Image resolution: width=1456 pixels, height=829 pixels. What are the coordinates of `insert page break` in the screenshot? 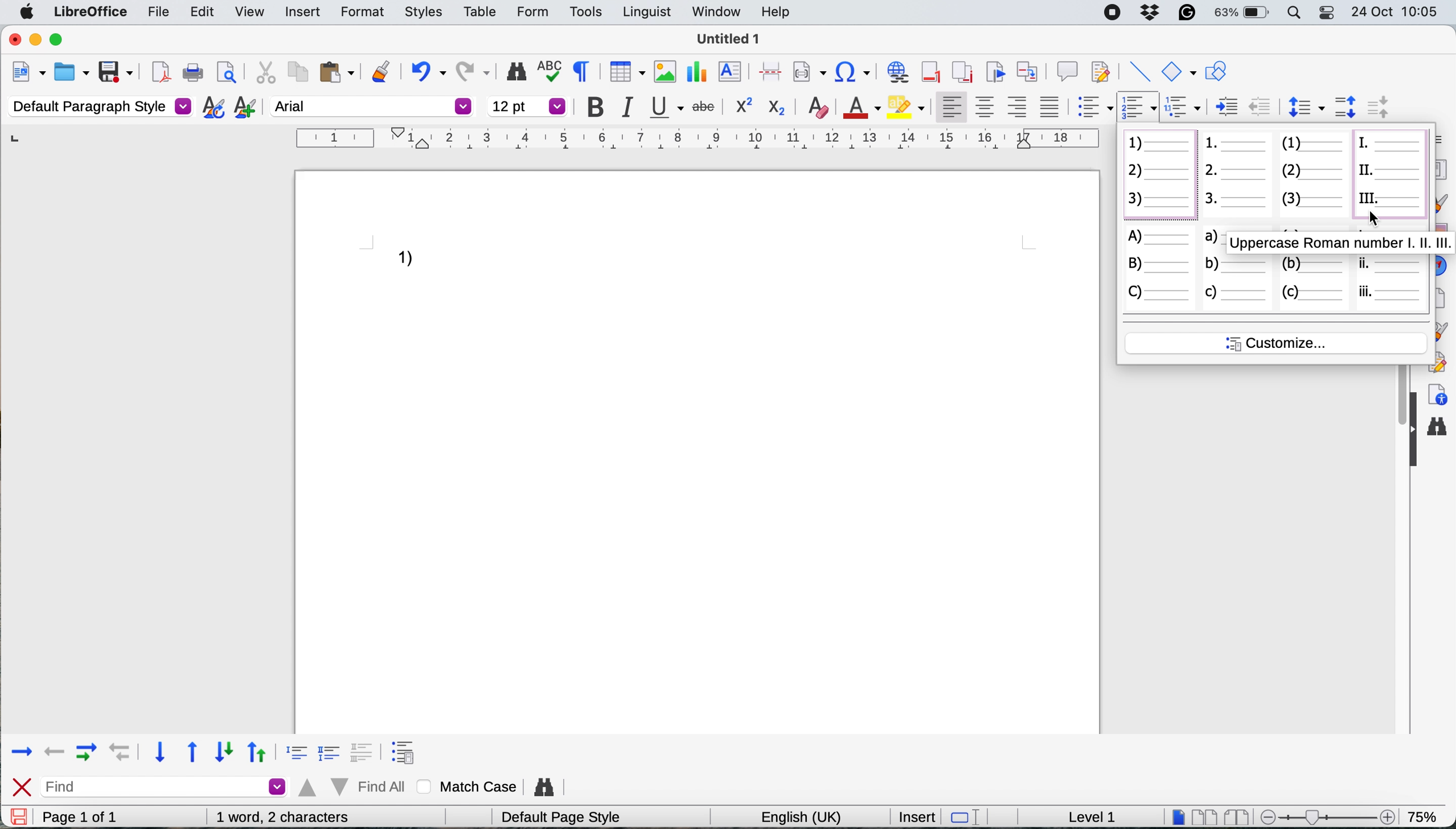 It's located at (769, 71).